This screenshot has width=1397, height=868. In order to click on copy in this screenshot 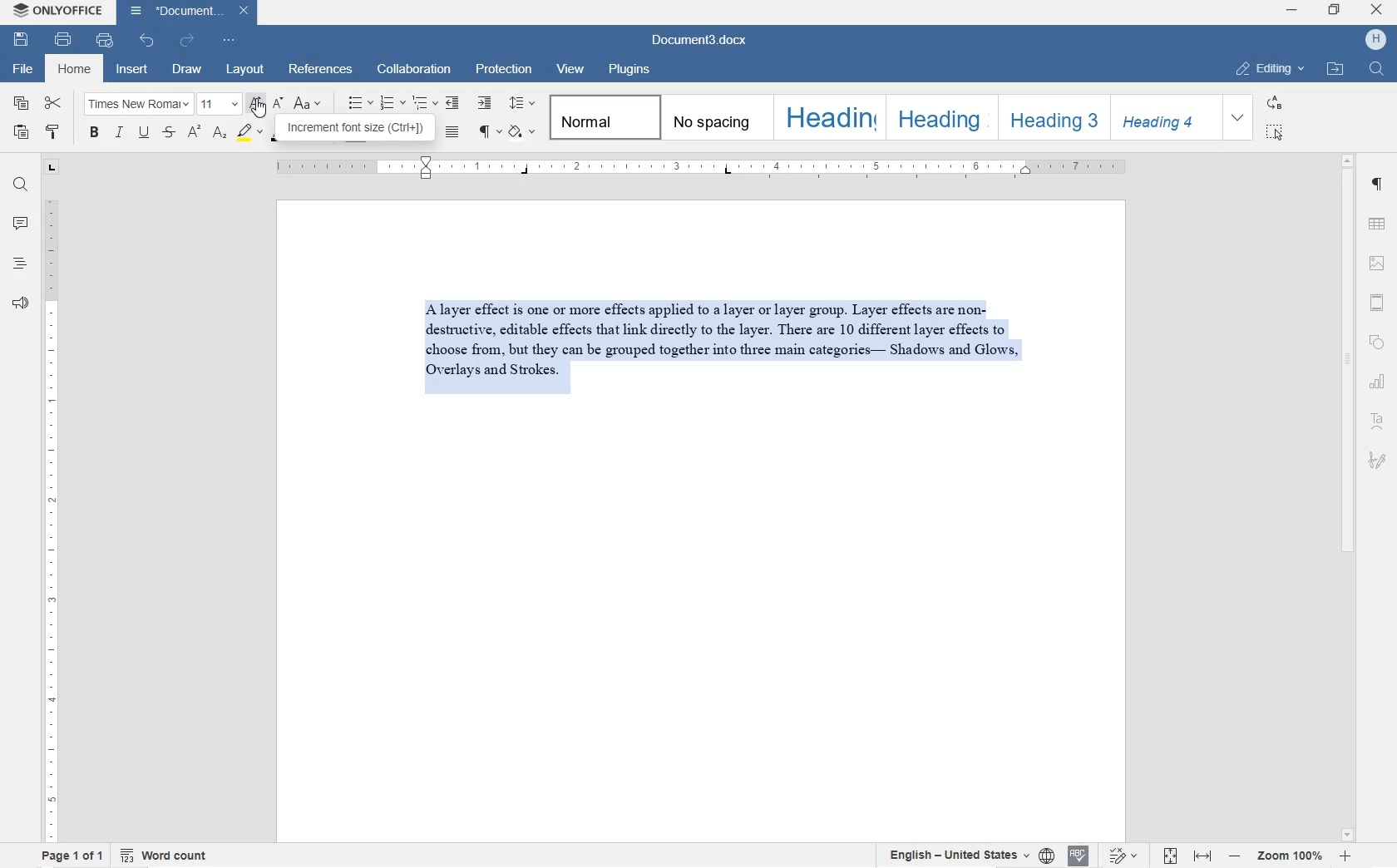, I will do `click(23, 104)`.